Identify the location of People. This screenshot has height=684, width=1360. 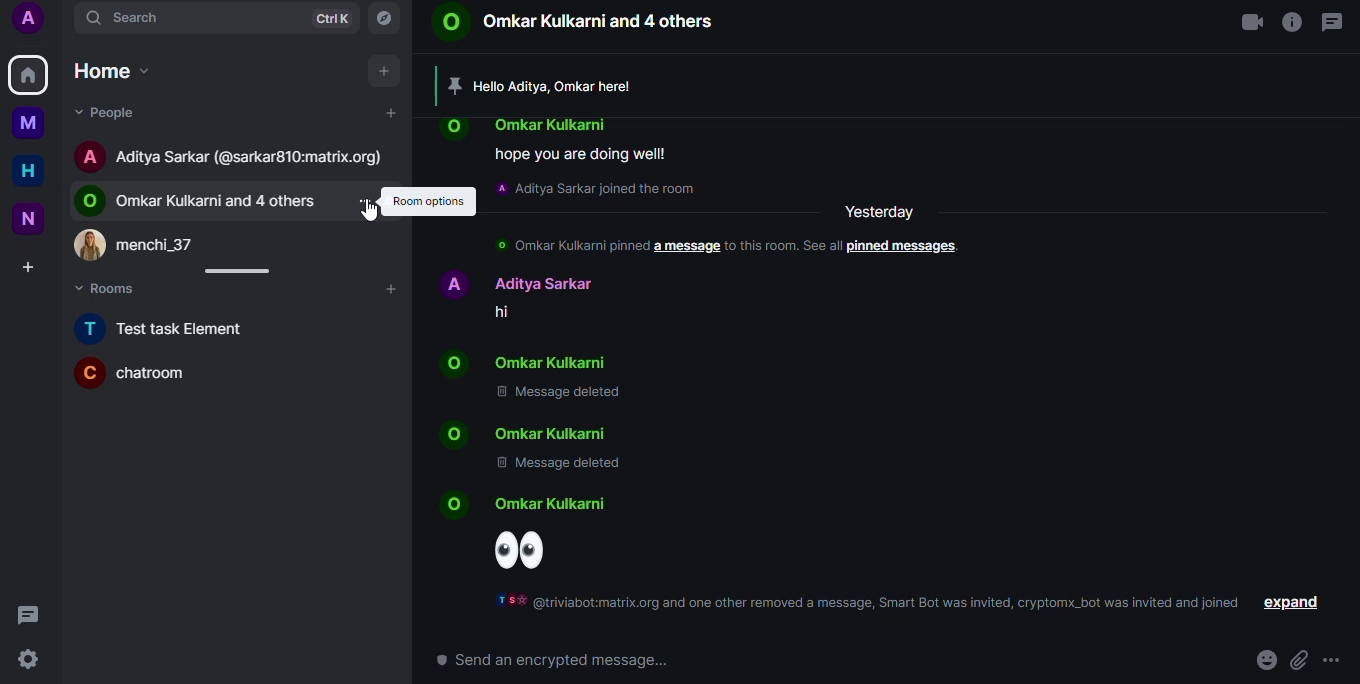
(115, 115).